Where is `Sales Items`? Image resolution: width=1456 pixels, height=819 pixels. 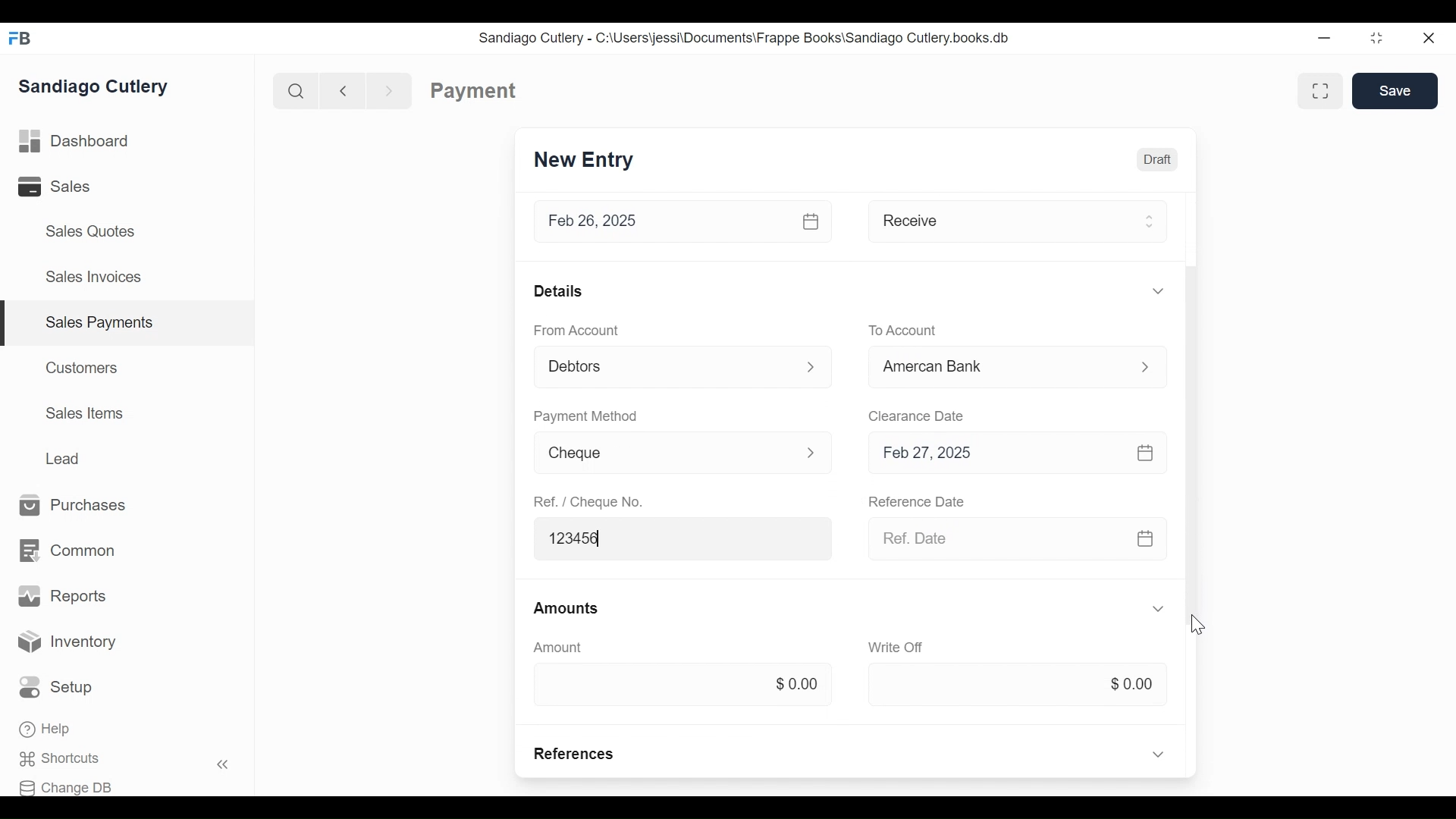
Sales Items is located at coordinates (85, 413).